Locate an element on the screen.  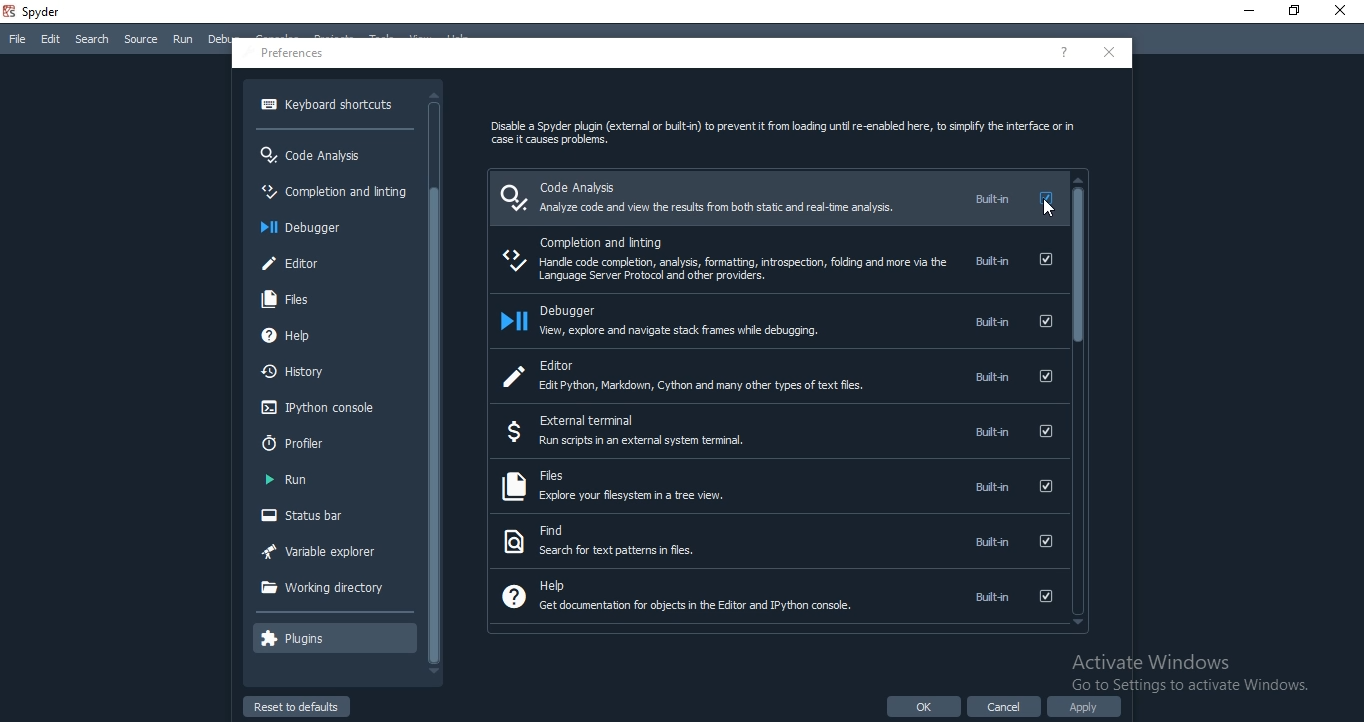
status bar is located at coordinates (330, 517).